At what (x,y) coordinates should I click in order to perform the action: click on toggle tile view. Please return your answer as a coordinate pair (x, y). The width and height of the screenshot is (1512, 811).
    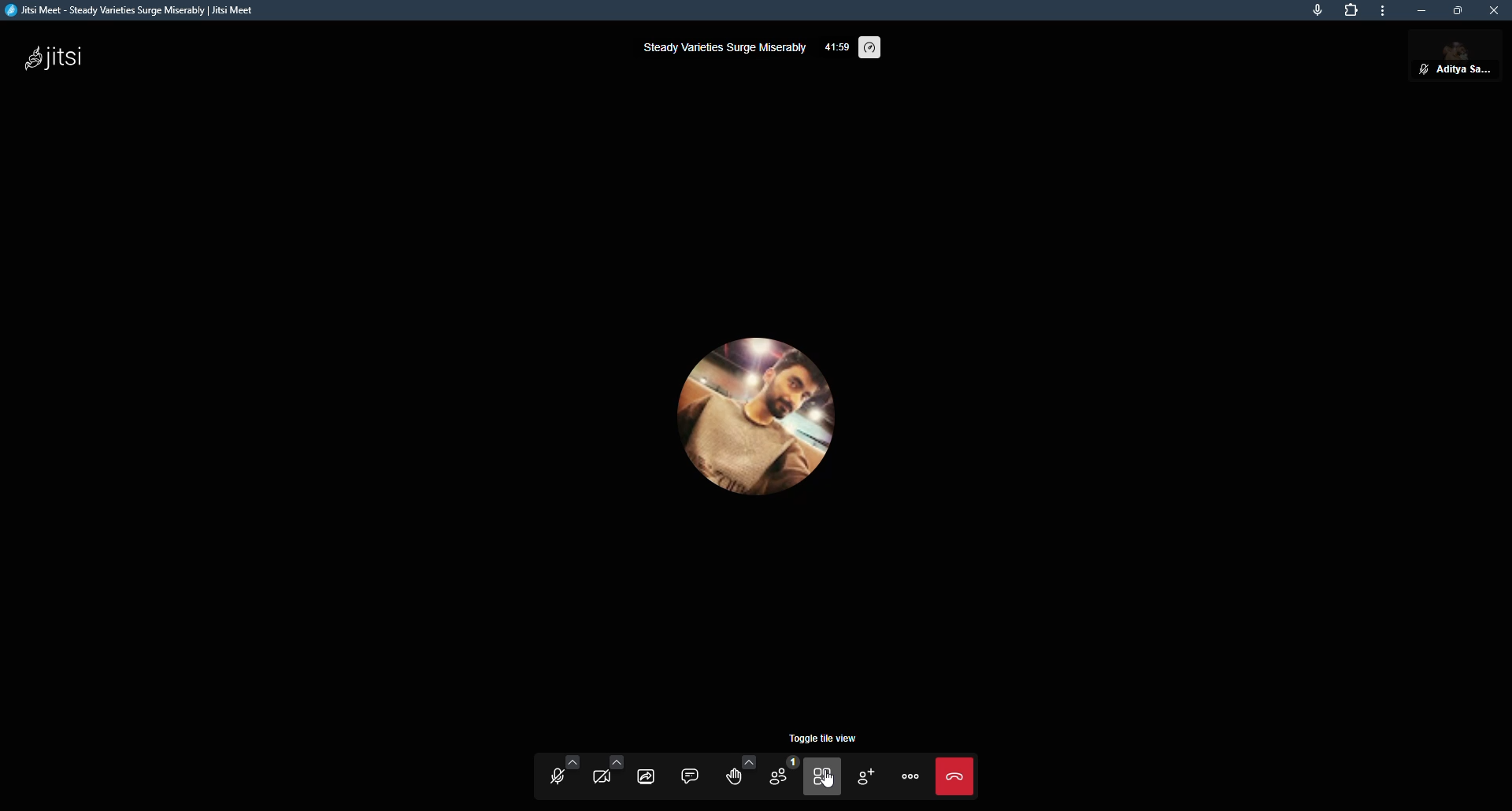
    Looking at the image, I should click on (824, 776).